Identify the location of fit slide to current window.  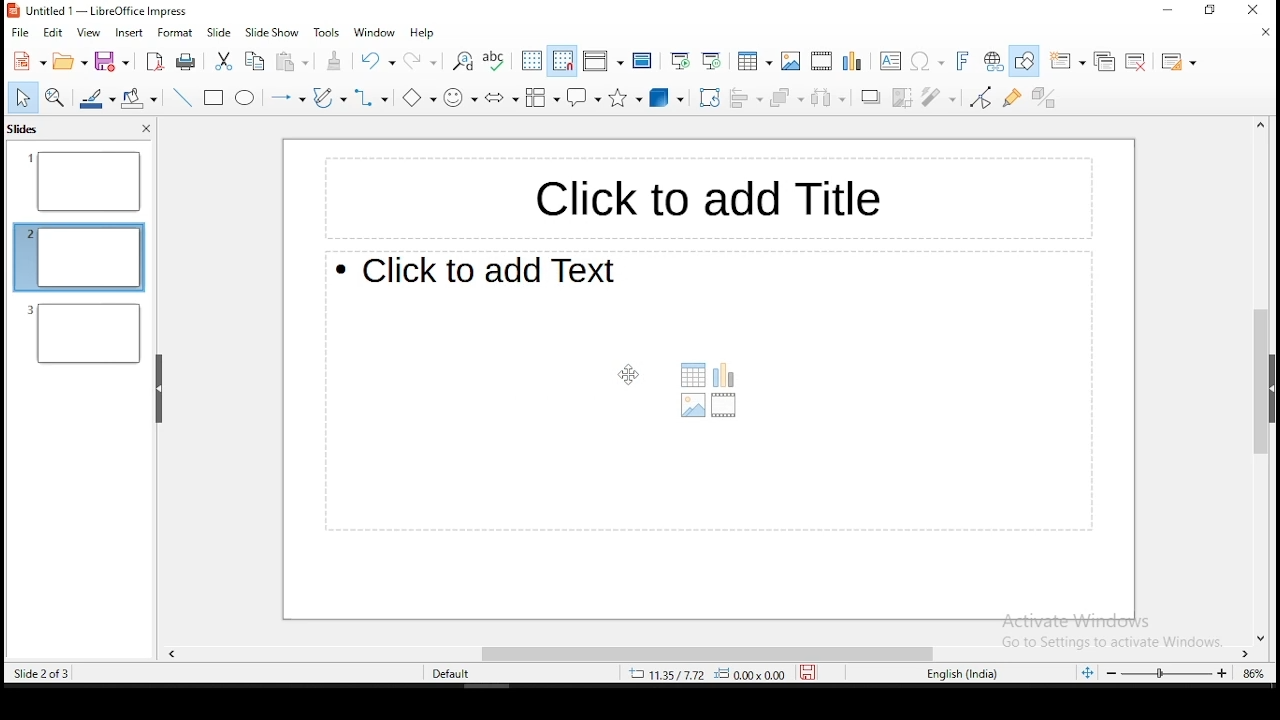
(1084, 673).